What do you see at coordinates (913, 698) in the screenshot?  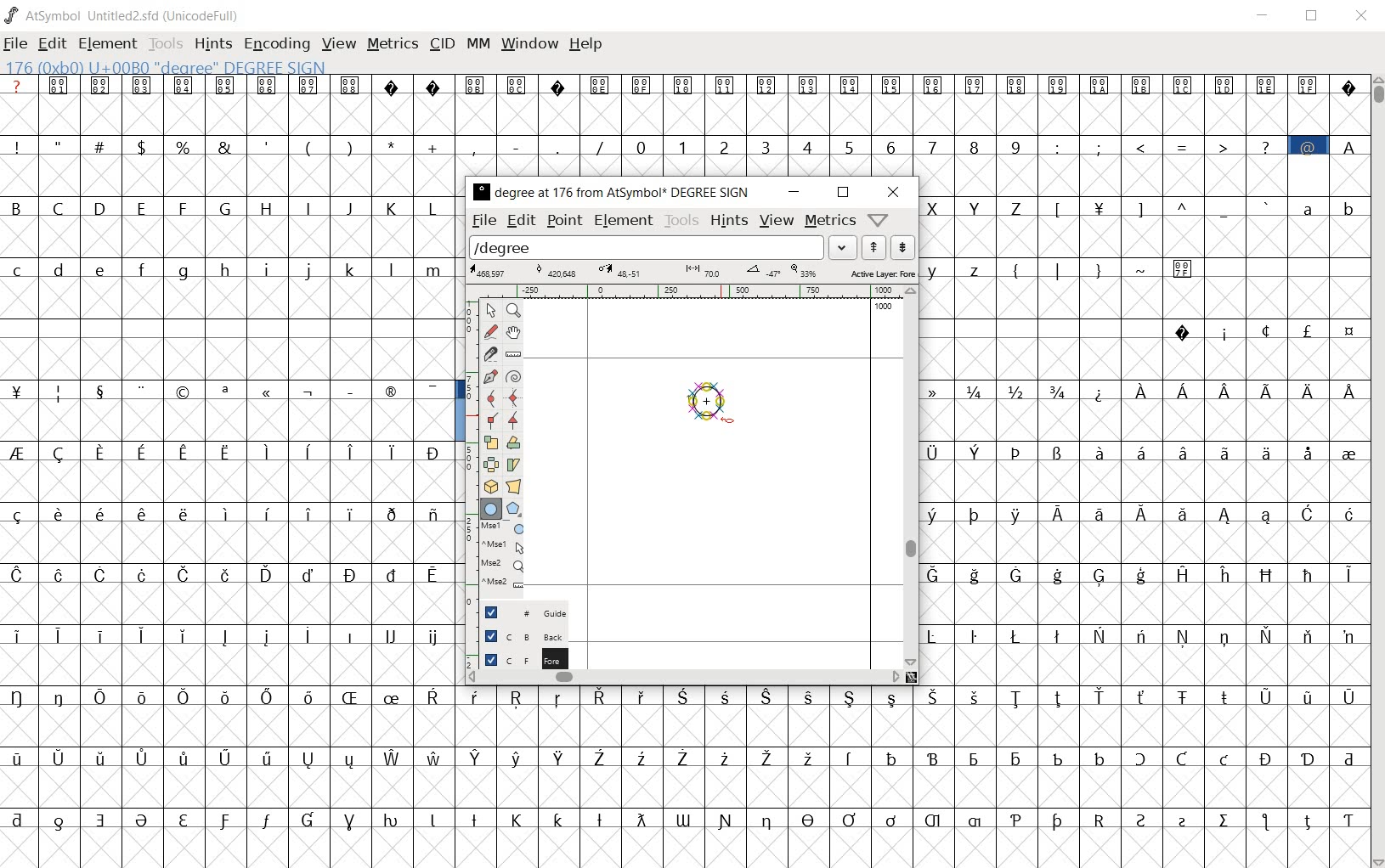 I see `special letters` at bounding box center [913, 698].